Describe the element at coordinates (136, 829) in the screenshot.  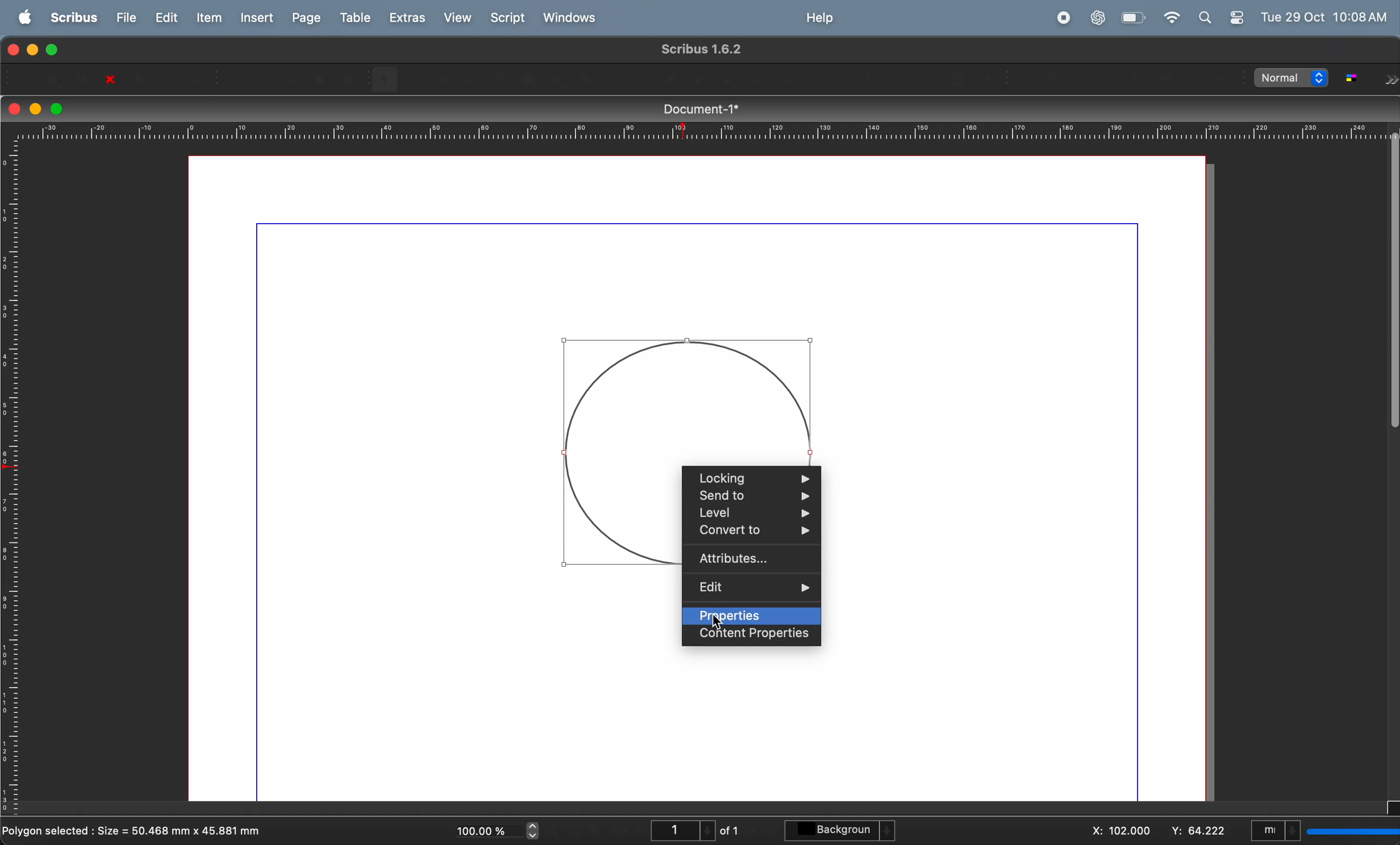
I see `polygon selected` at that location.